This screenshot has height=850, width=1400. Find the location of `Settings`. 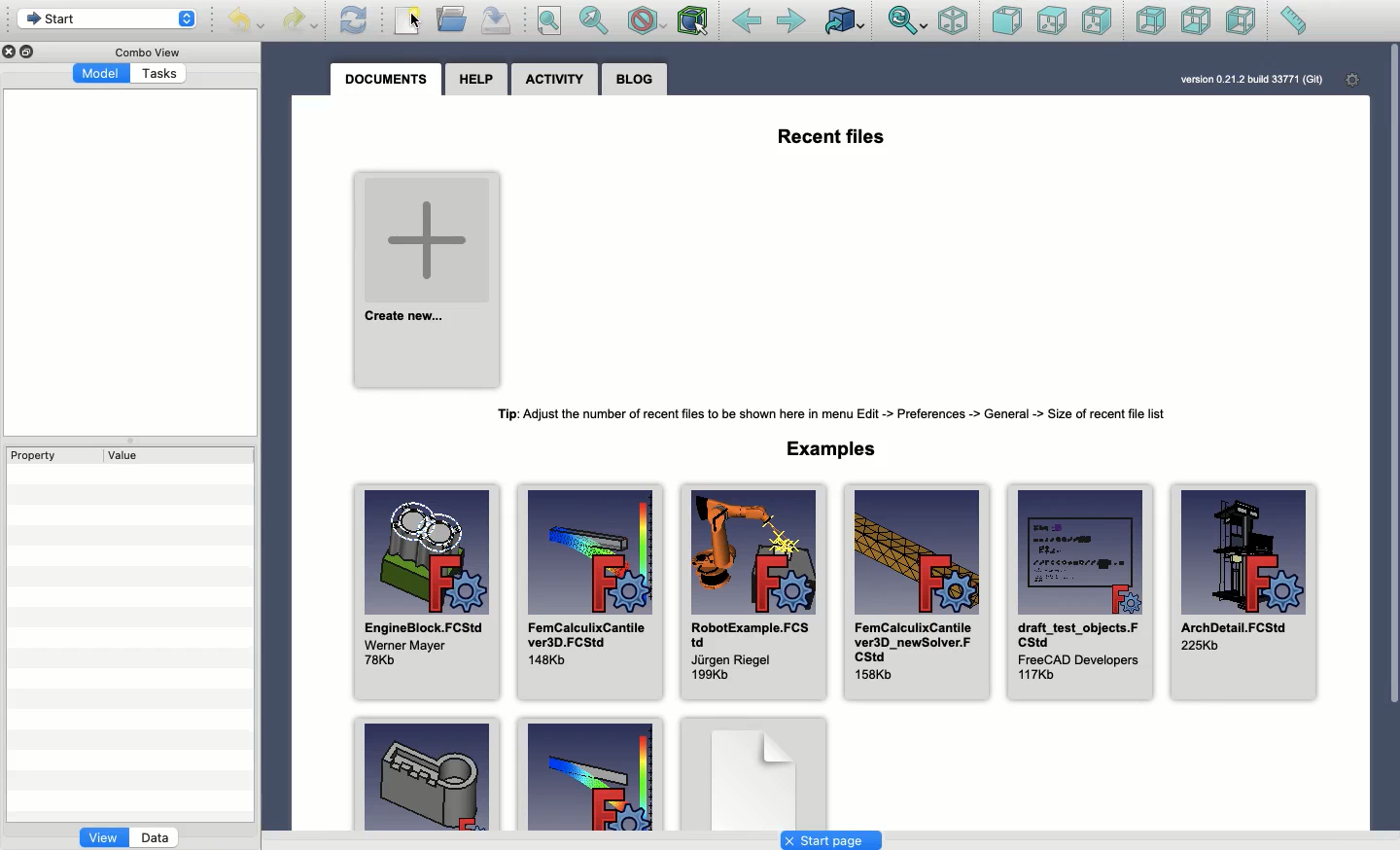

Settings is located at coordinates (1354, 79).